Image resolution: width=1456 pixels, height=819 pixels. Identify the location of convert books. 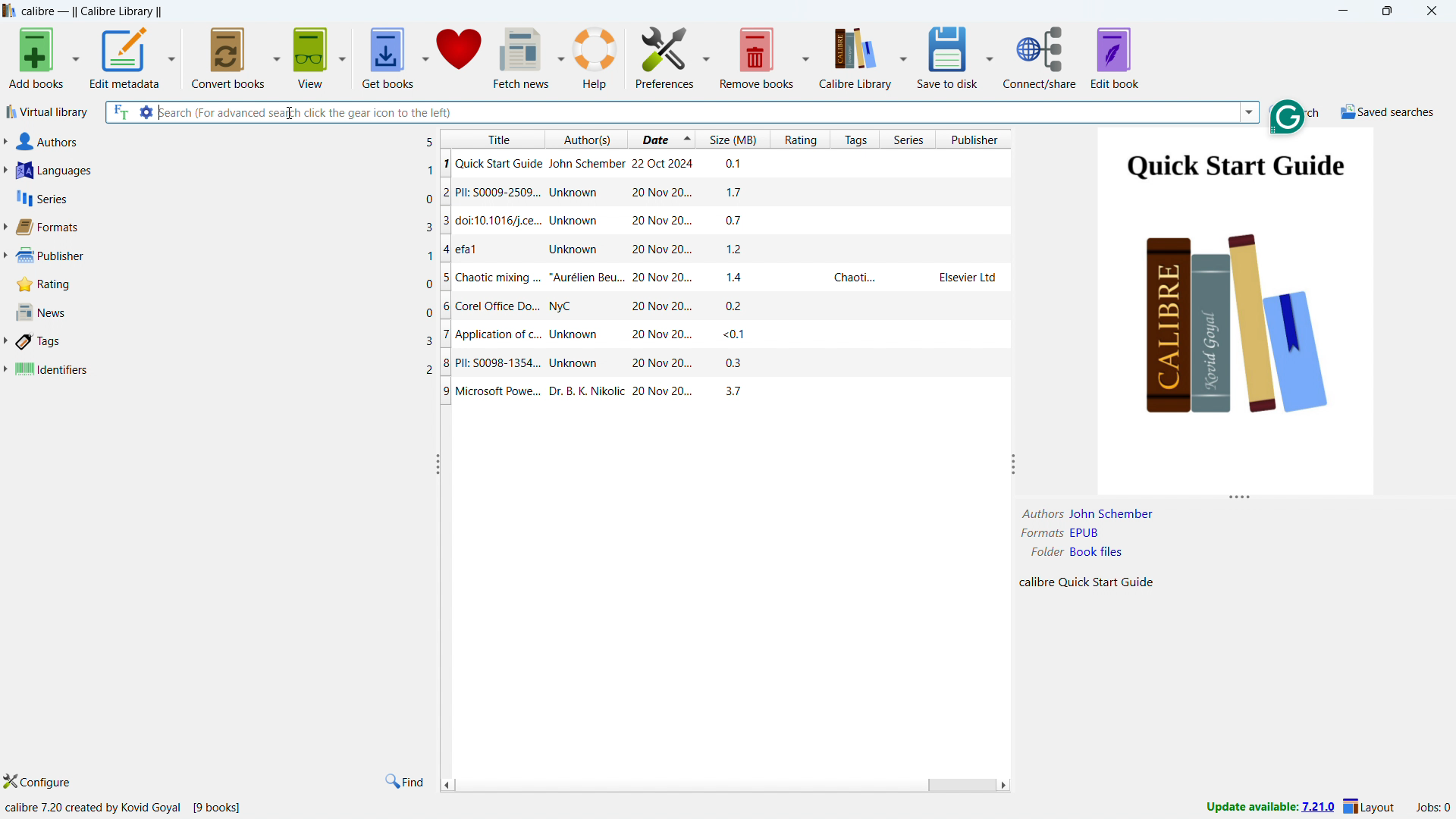
(229, 56).